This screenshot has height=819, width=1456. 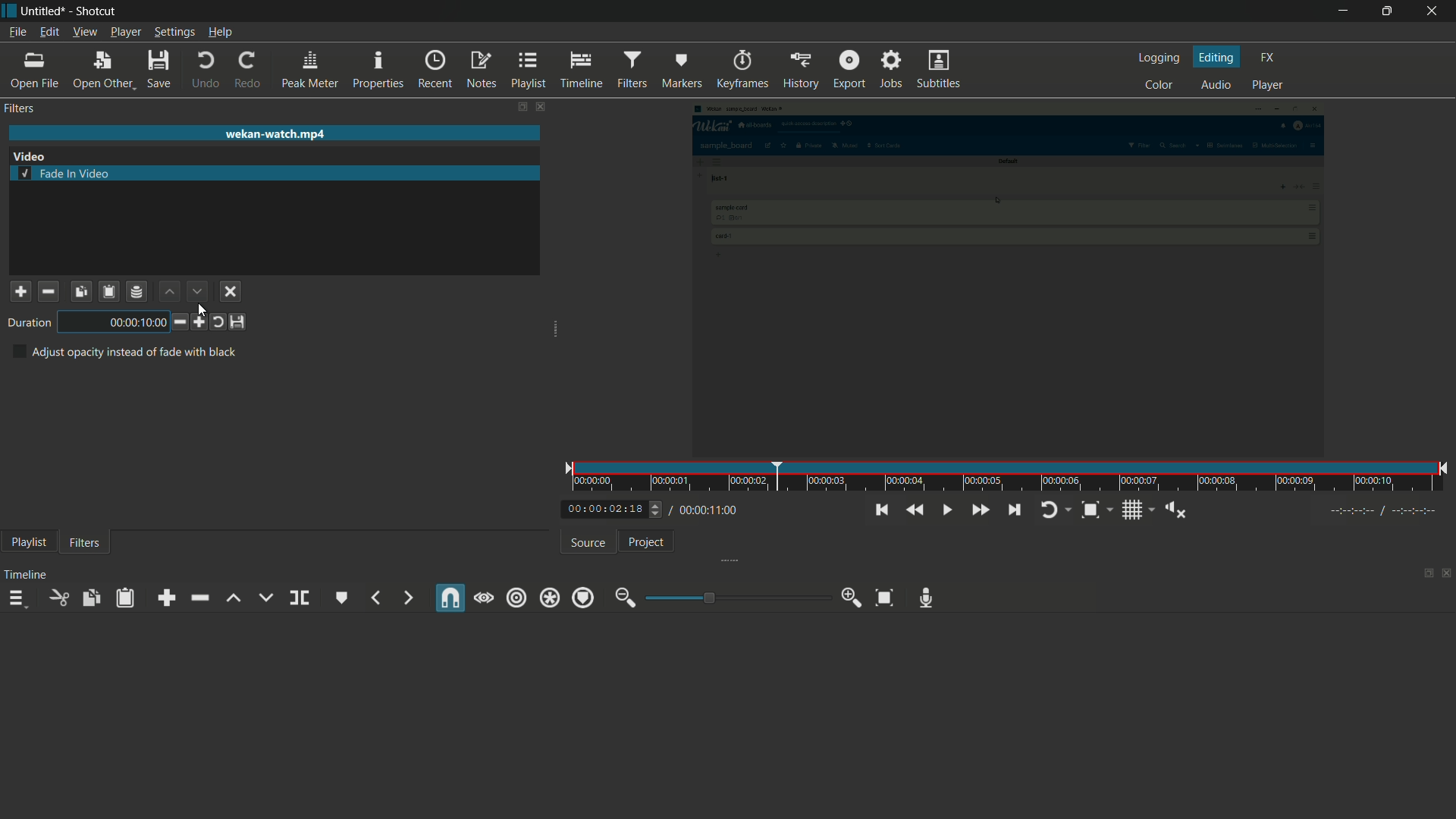 What do you see at coordinates (124, 352) in the screenshot?
I see `text` at bounding box center [124, 352].